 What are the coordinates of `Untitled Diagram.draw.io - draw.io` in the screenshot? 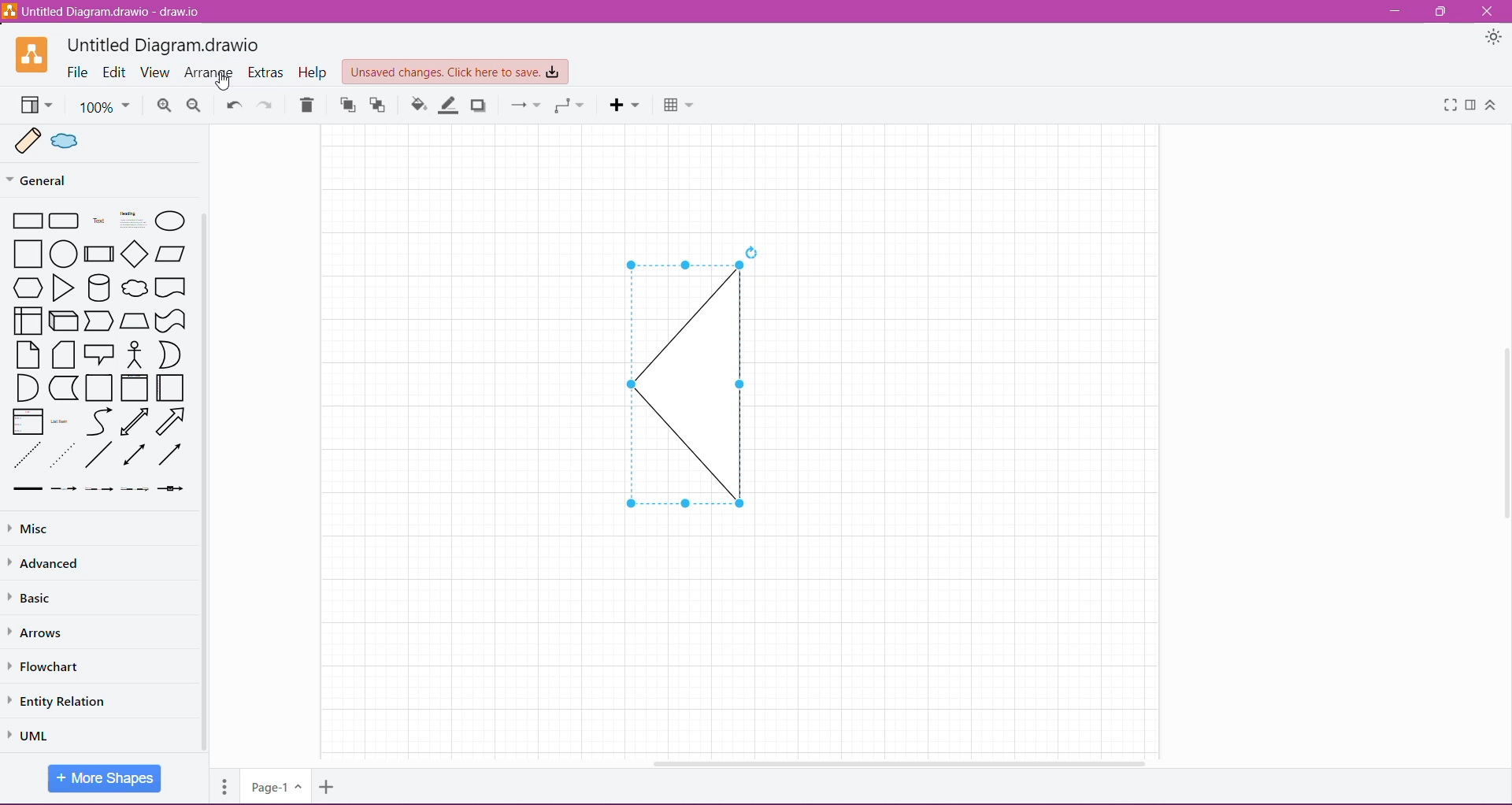 It's located at (104, 11).